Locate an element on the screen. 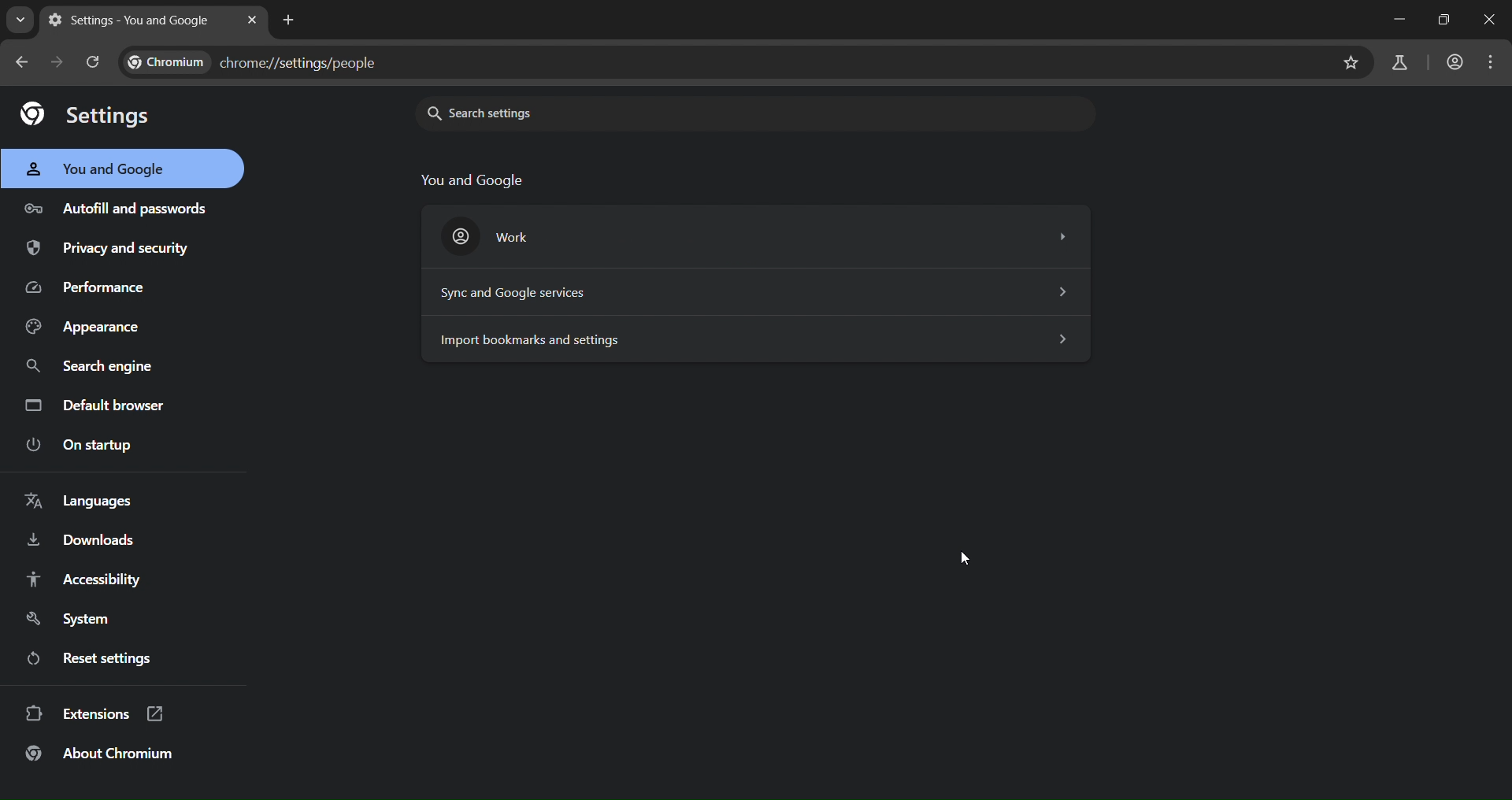 This screenshot has height=800, width=1512. languages is located at coordinates (80, 502).